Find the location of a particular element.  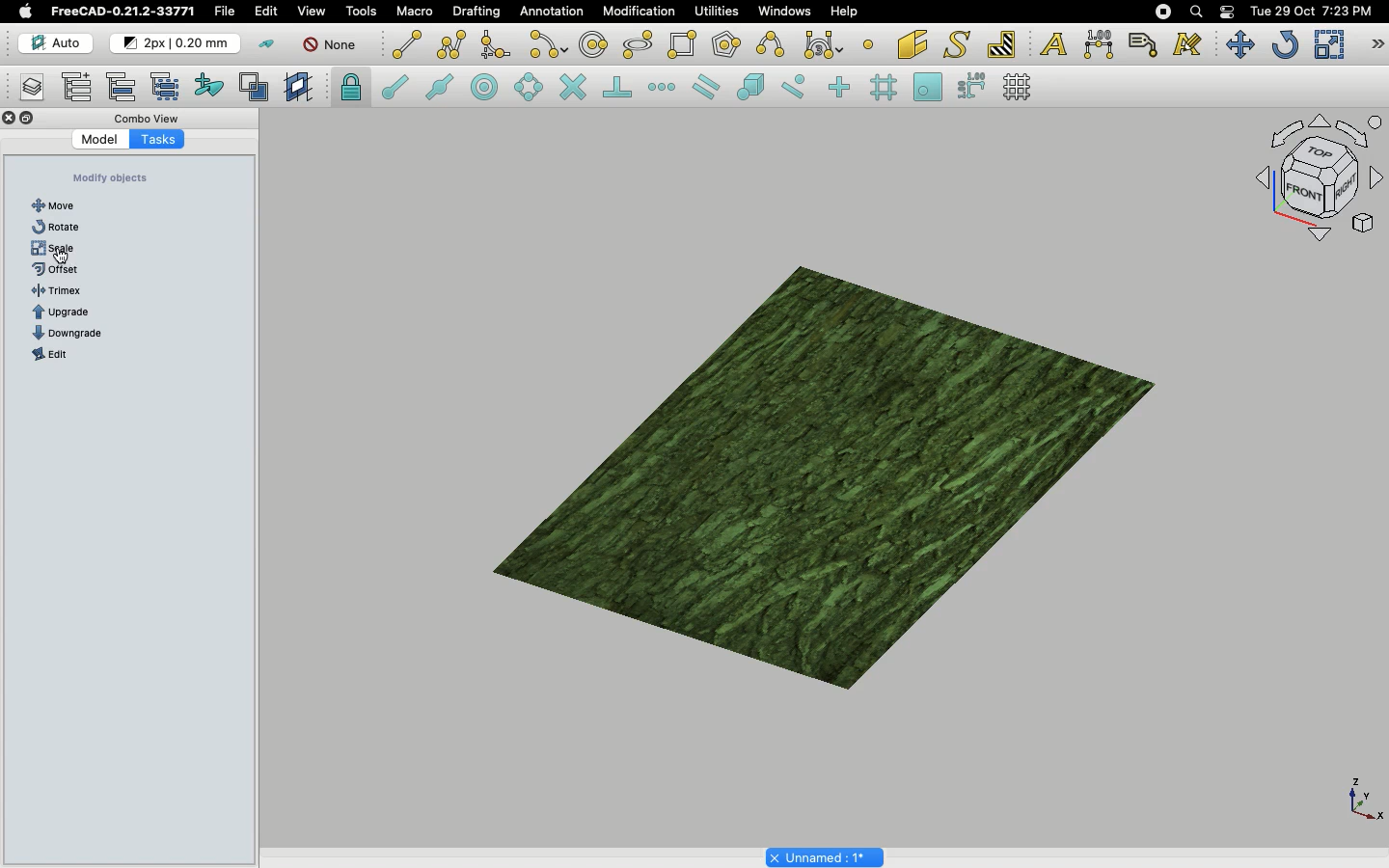

Snap center is located at coordinates (482, 88).